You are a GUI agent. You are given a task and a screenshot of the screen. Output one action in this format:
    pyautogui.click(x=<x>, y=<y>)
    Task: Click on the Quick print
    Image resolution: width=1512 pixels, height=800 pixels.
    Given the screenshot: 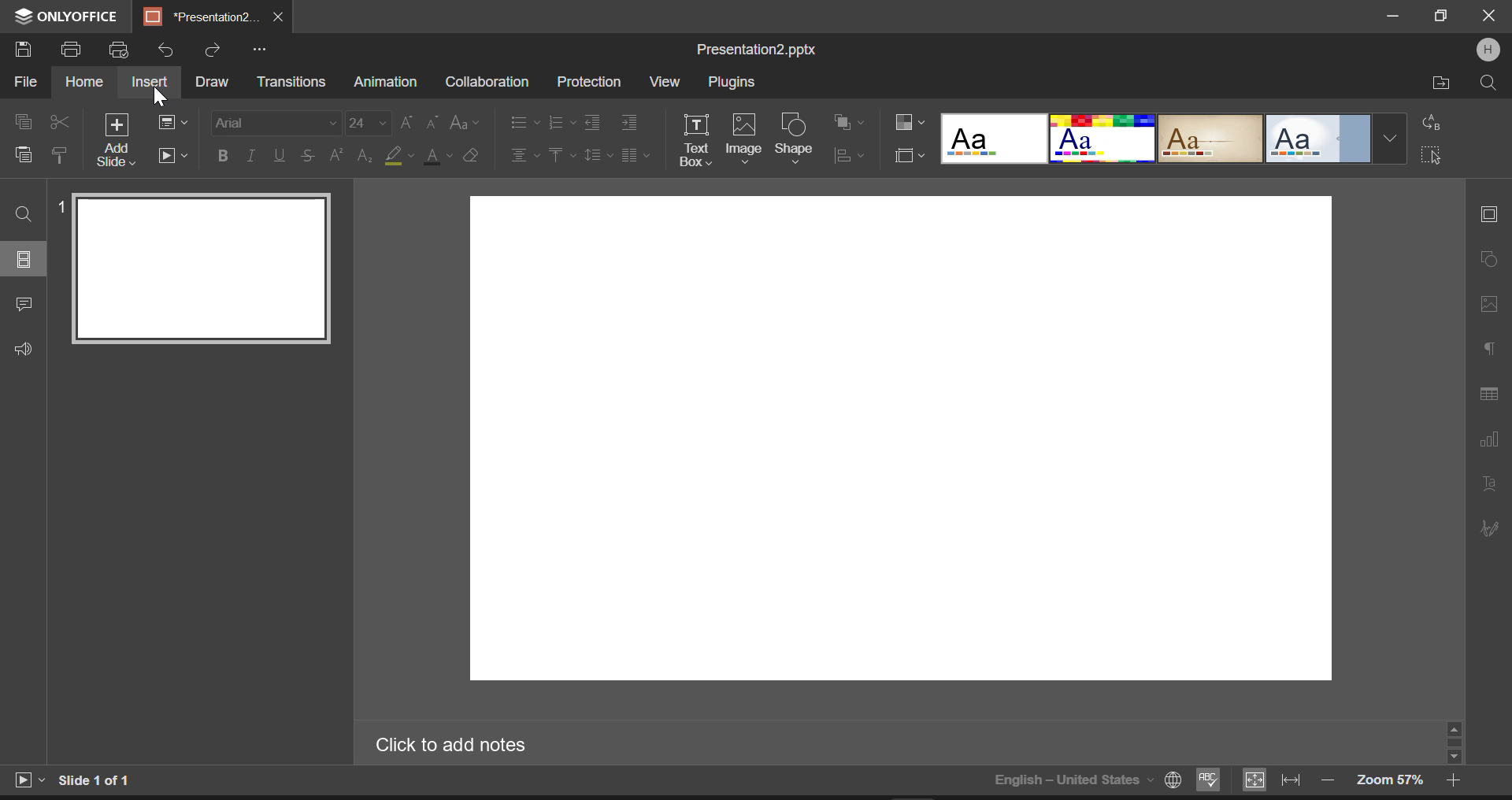 What is the action you would take?
    pyautogui.click(x=120, y=51)
    